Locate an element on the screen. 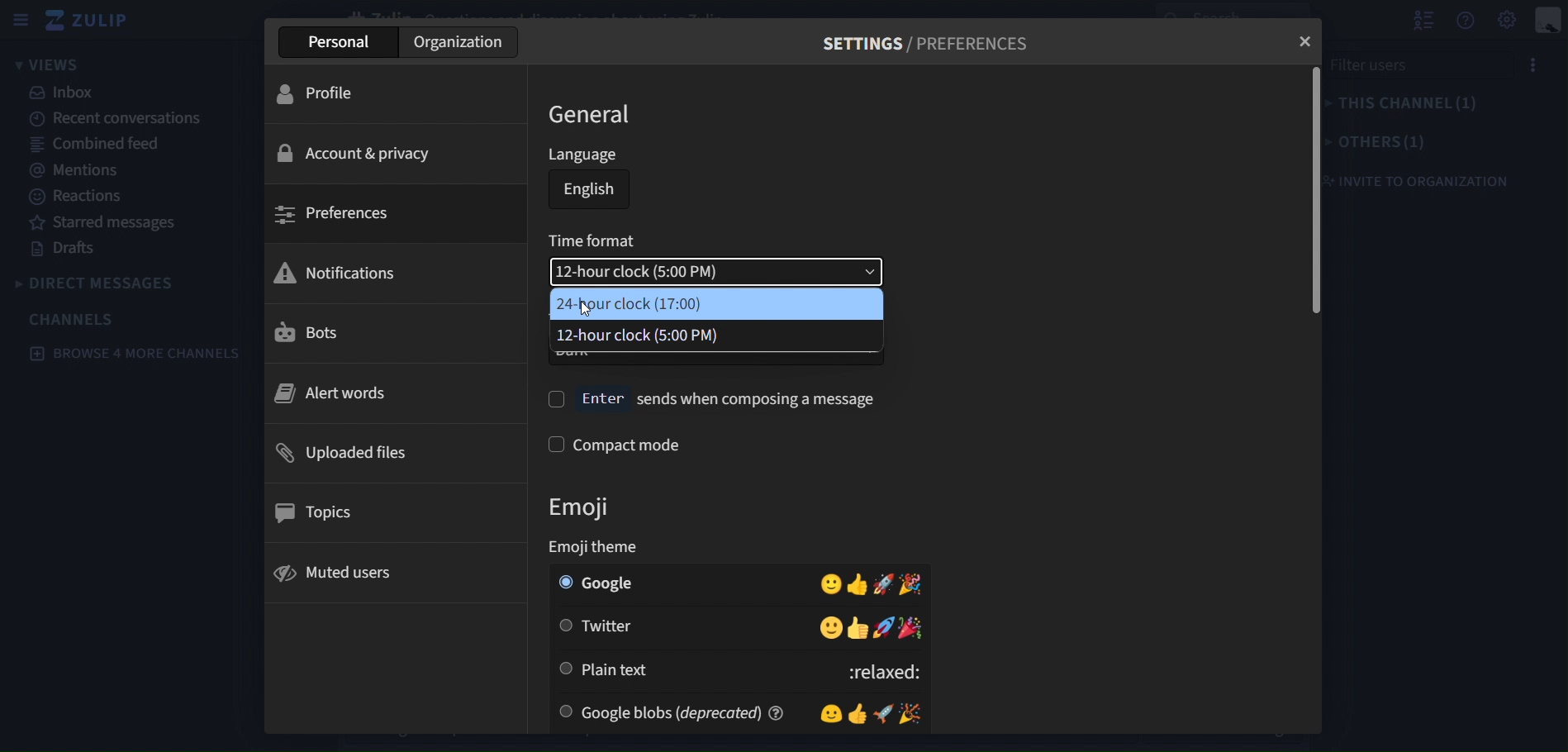  Settings is located at coordinates (1509, 20).